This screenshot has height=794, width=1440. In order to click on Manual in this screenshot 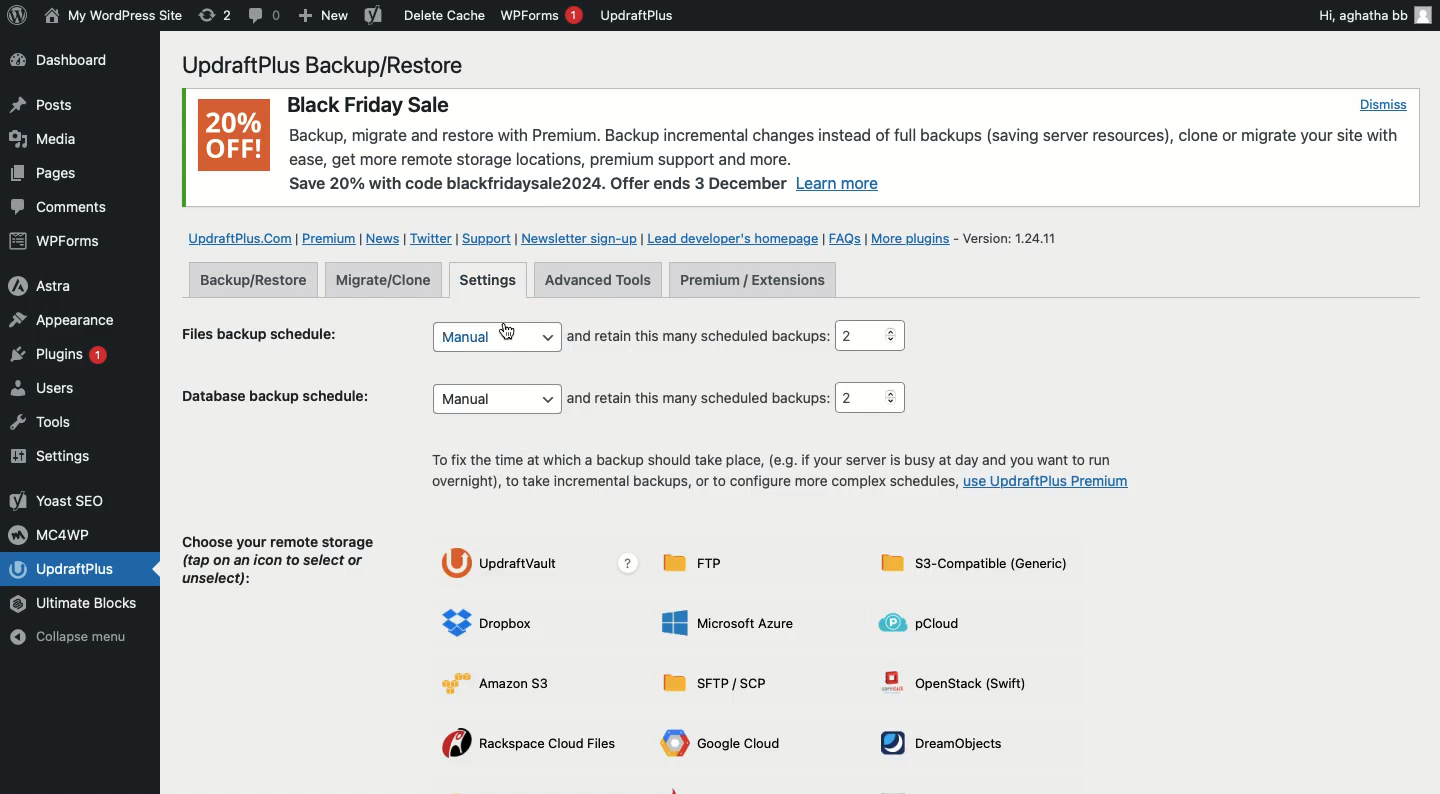, I will do `click(498, 399)`.